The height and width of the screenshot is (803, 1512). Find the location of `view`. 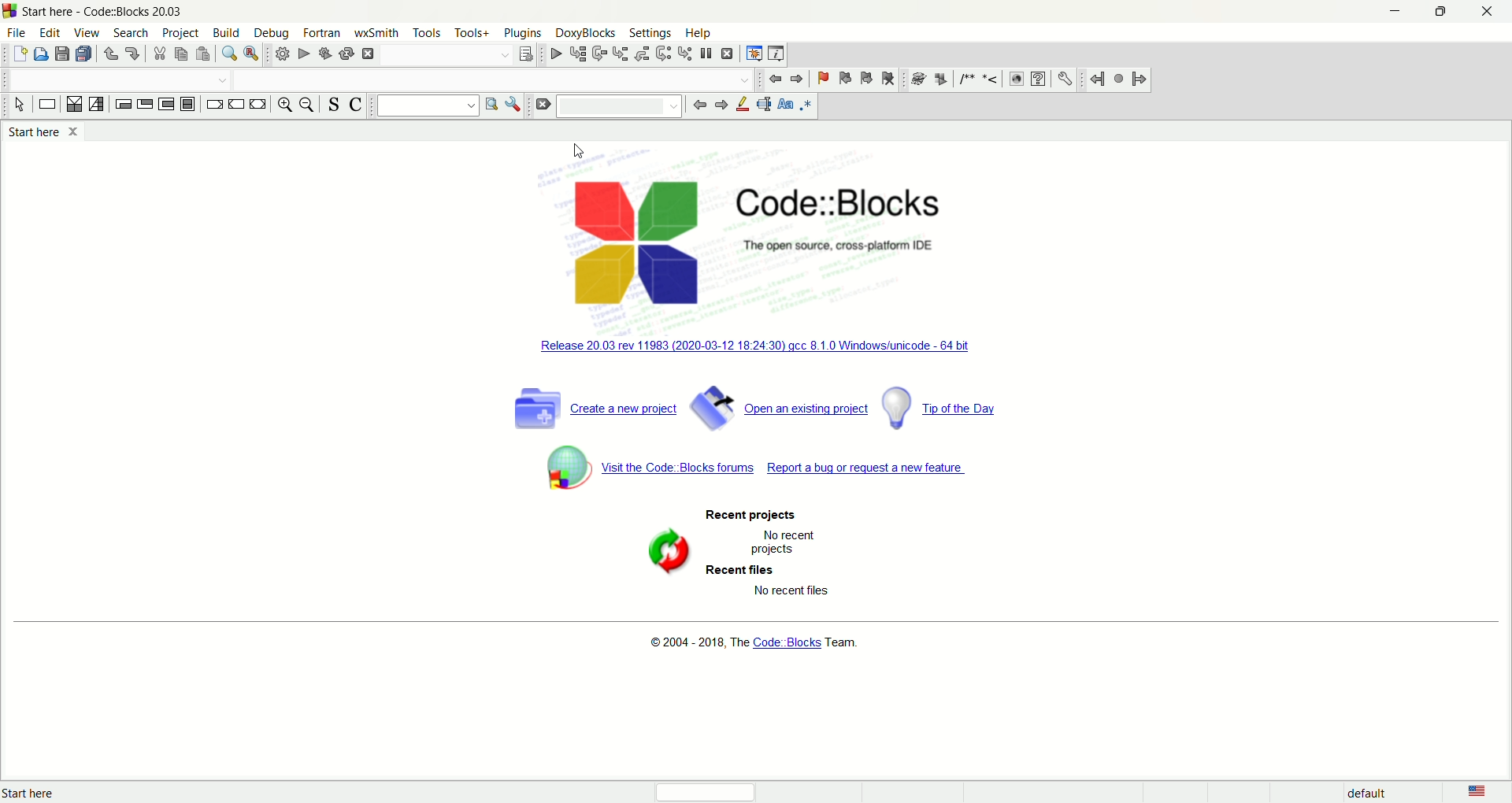

view is located at coordinates (89, 34).